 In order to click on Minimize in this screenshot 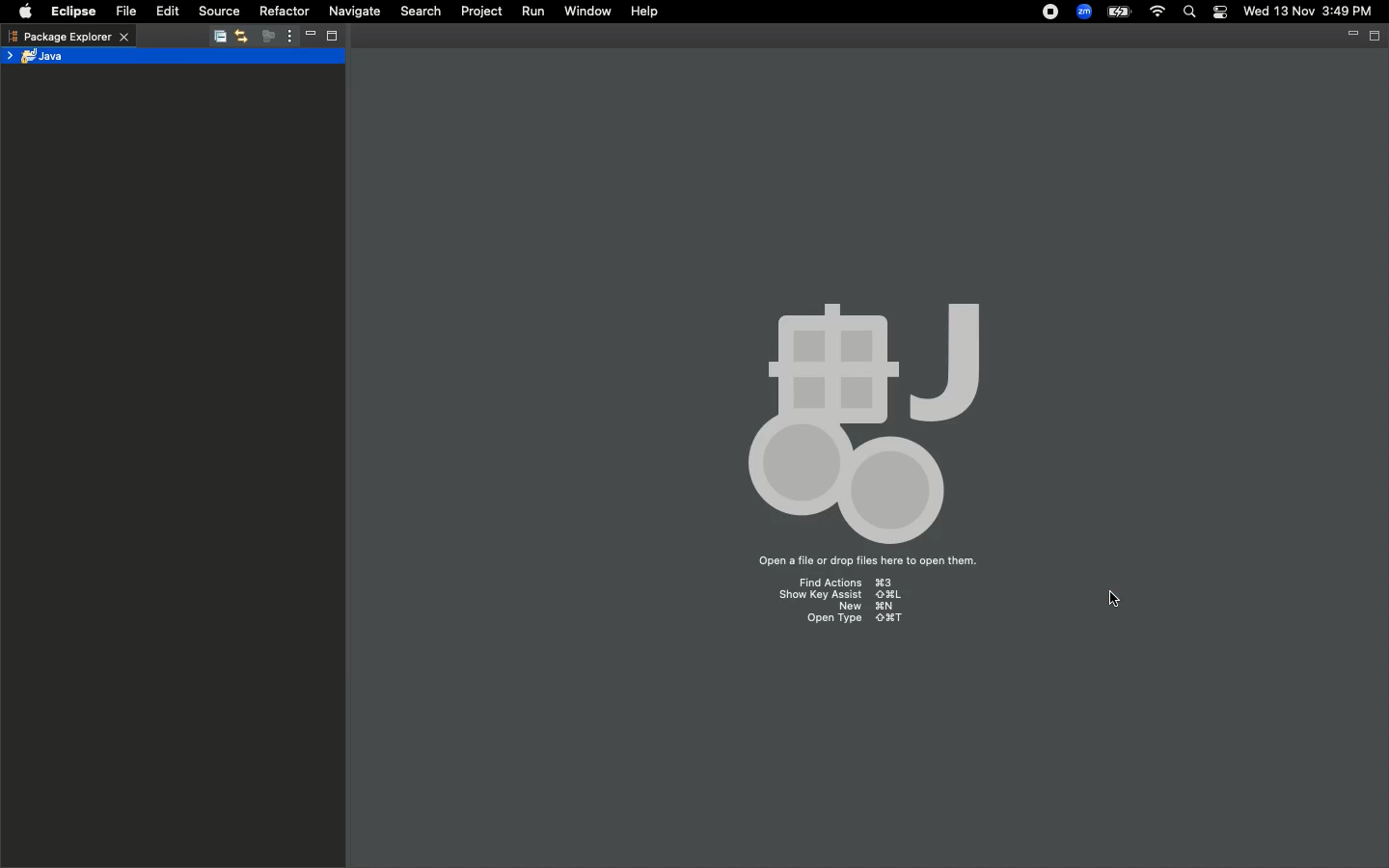, I will do `click(1350, 38)`.